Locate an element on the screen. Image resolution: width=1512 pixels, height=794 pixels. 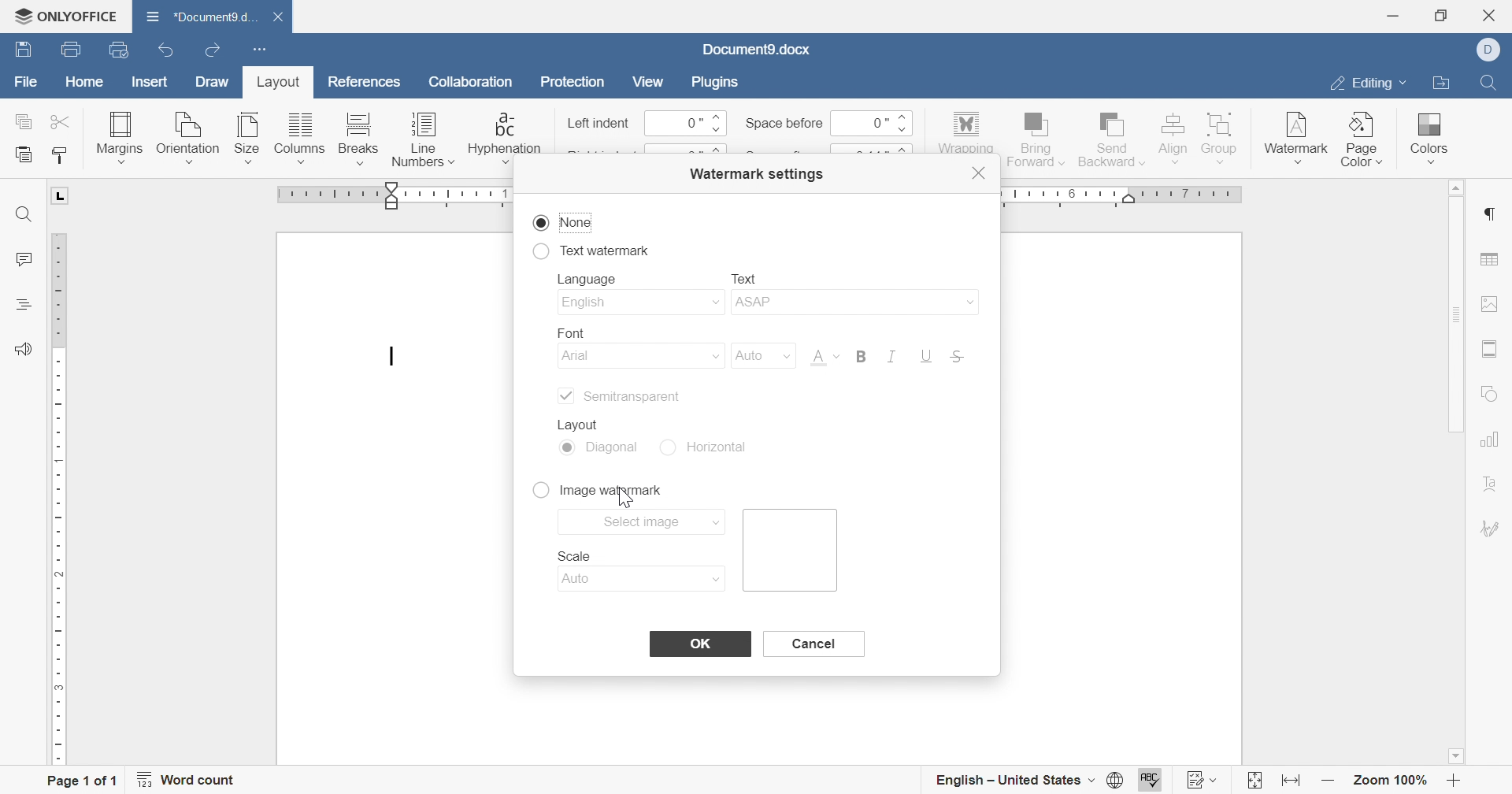
editing is located at coordinates (1365, 86).